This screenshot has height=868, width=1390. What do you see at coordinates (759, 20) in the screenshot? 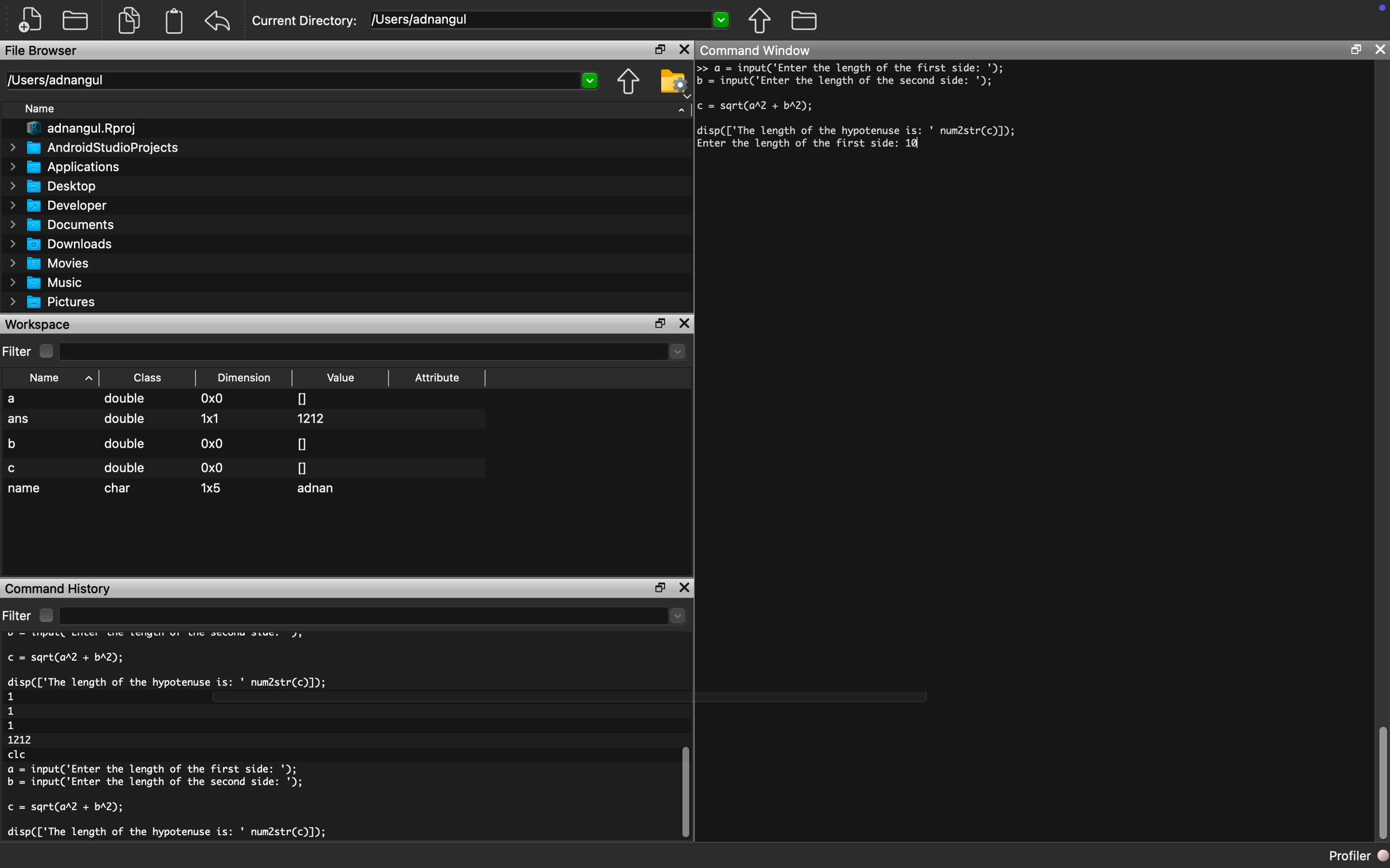
I see `move up` at bounding box center [759, 20].